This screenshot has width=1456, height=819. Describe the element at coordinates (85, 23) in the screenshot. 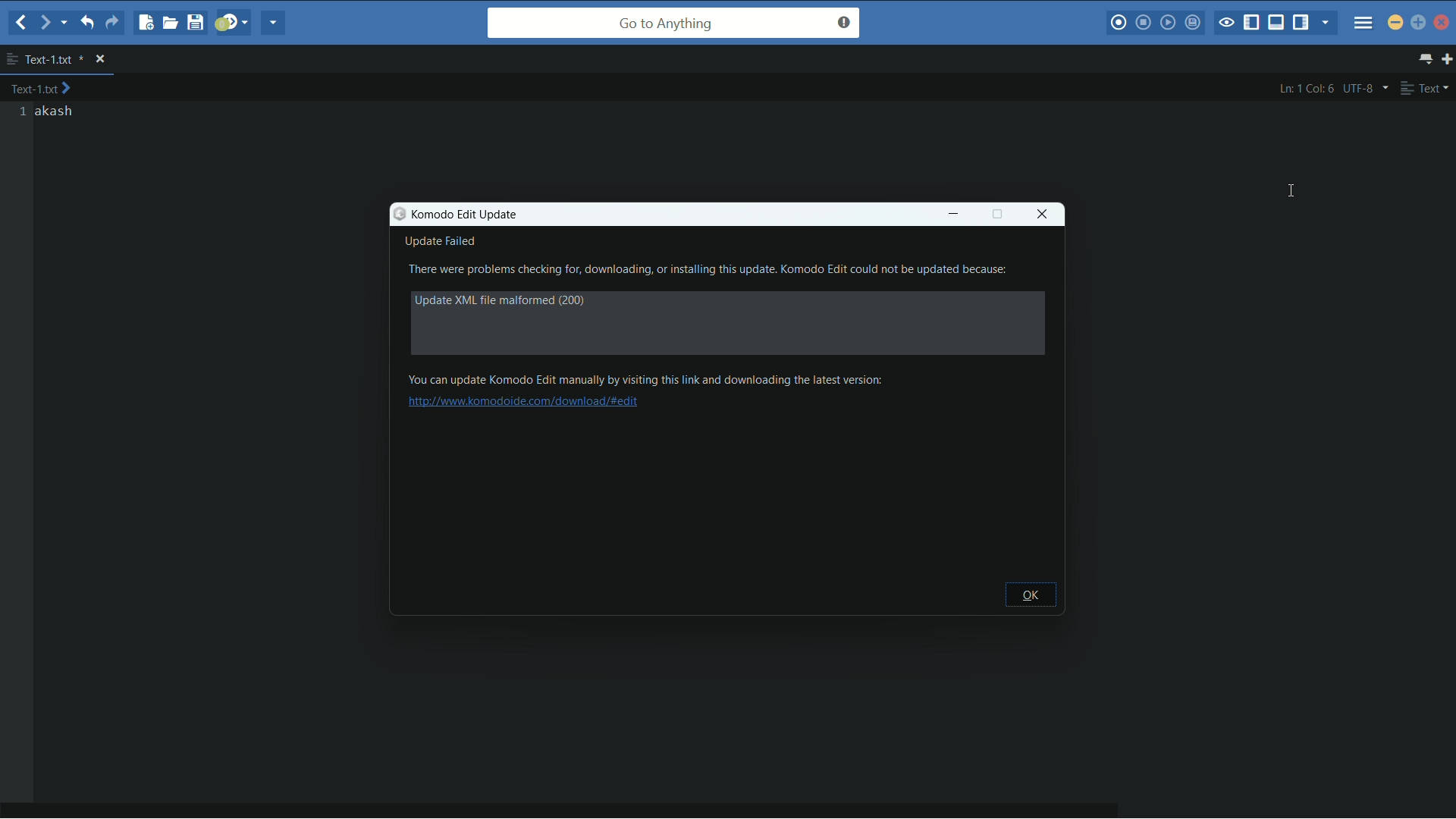

I see `undo` at that location.